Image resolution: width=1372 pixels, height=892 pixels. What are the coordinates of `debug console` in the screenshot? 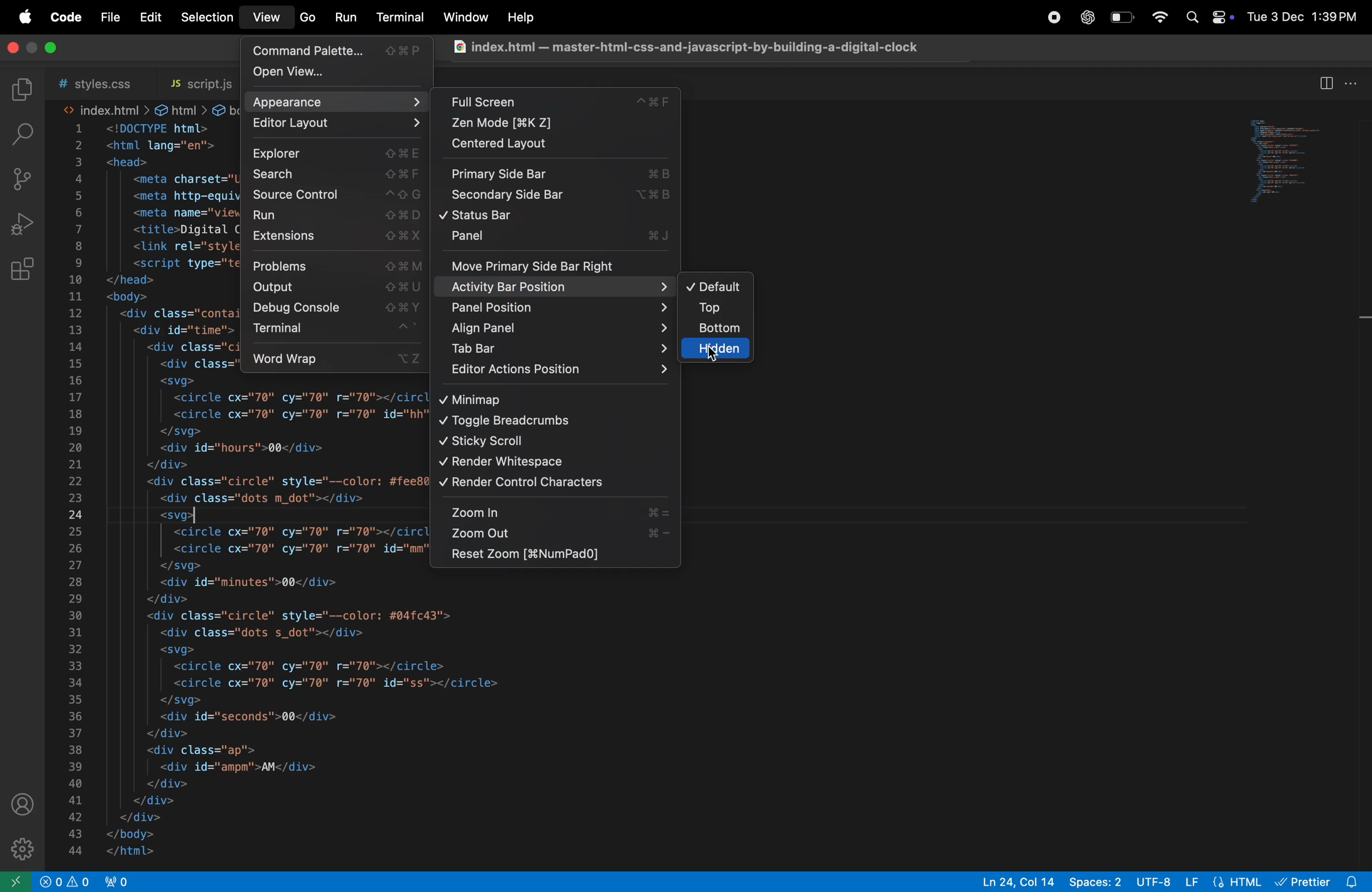 It's located at (335, 309).